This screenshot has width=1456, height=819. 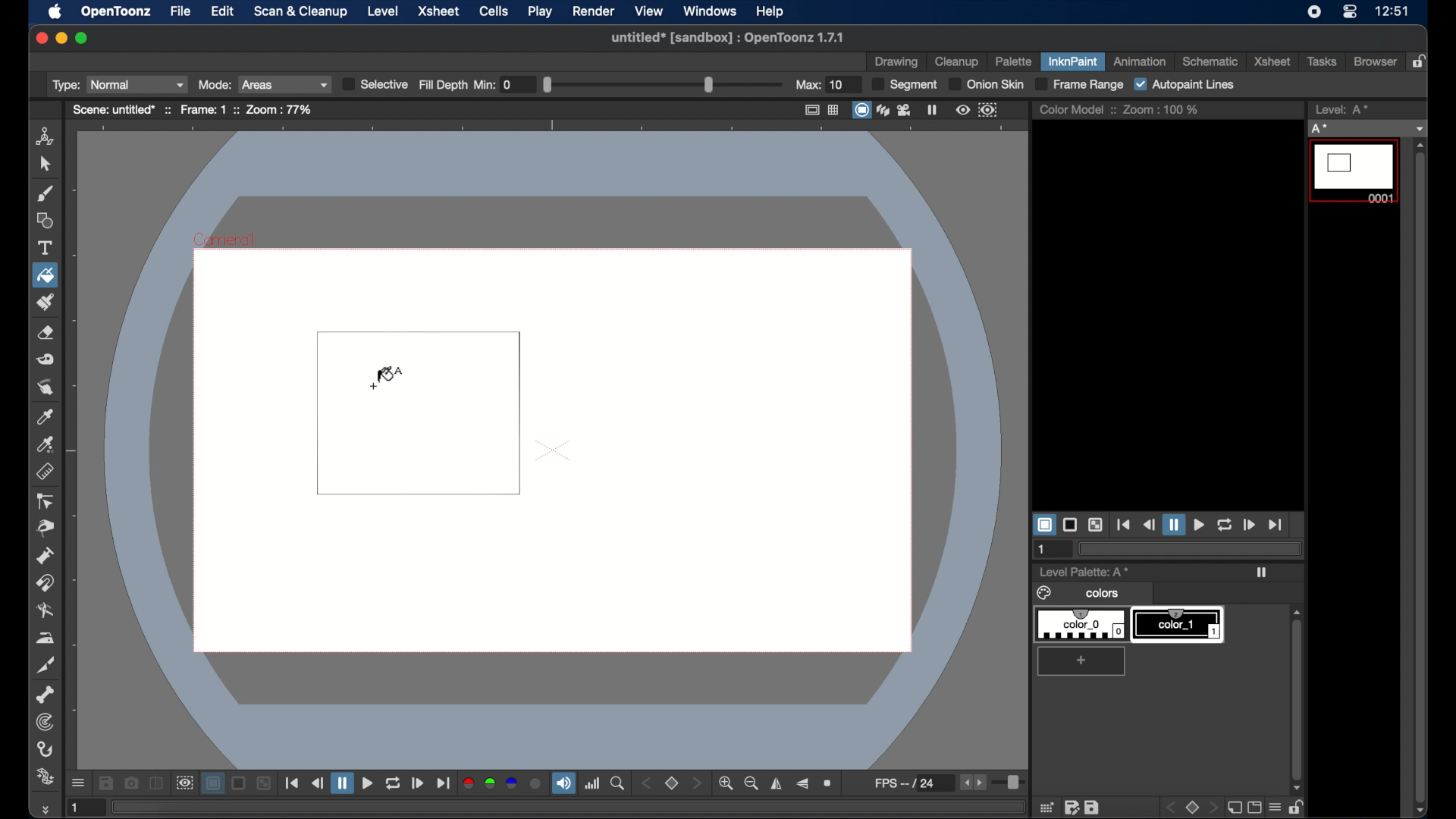 What do you see at coordinates (617, 783) in the screenshot?
I see `locator` at bounding box center [617, 783].